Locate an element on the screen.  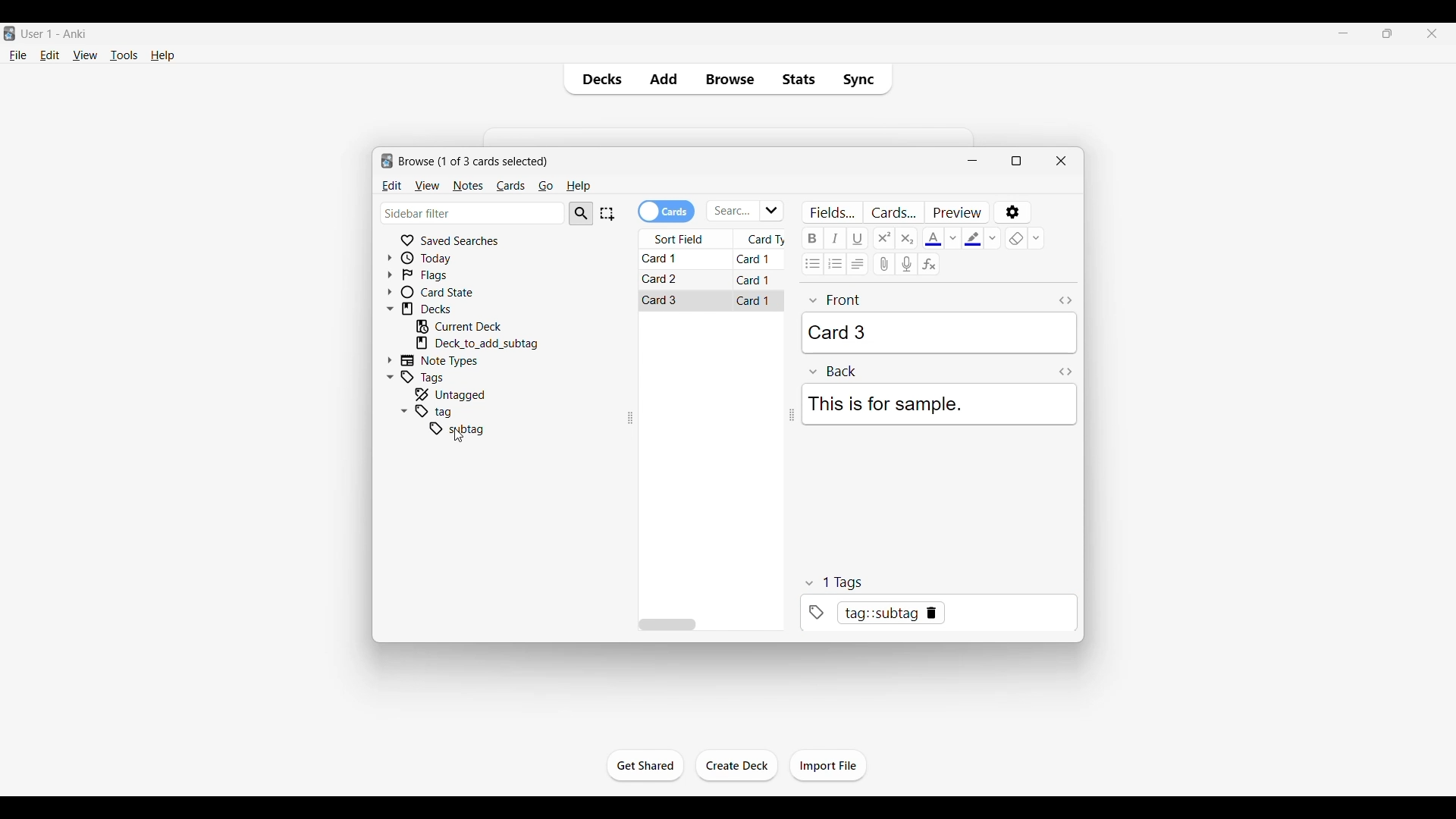
Stats is located at coordinates (797, 79).